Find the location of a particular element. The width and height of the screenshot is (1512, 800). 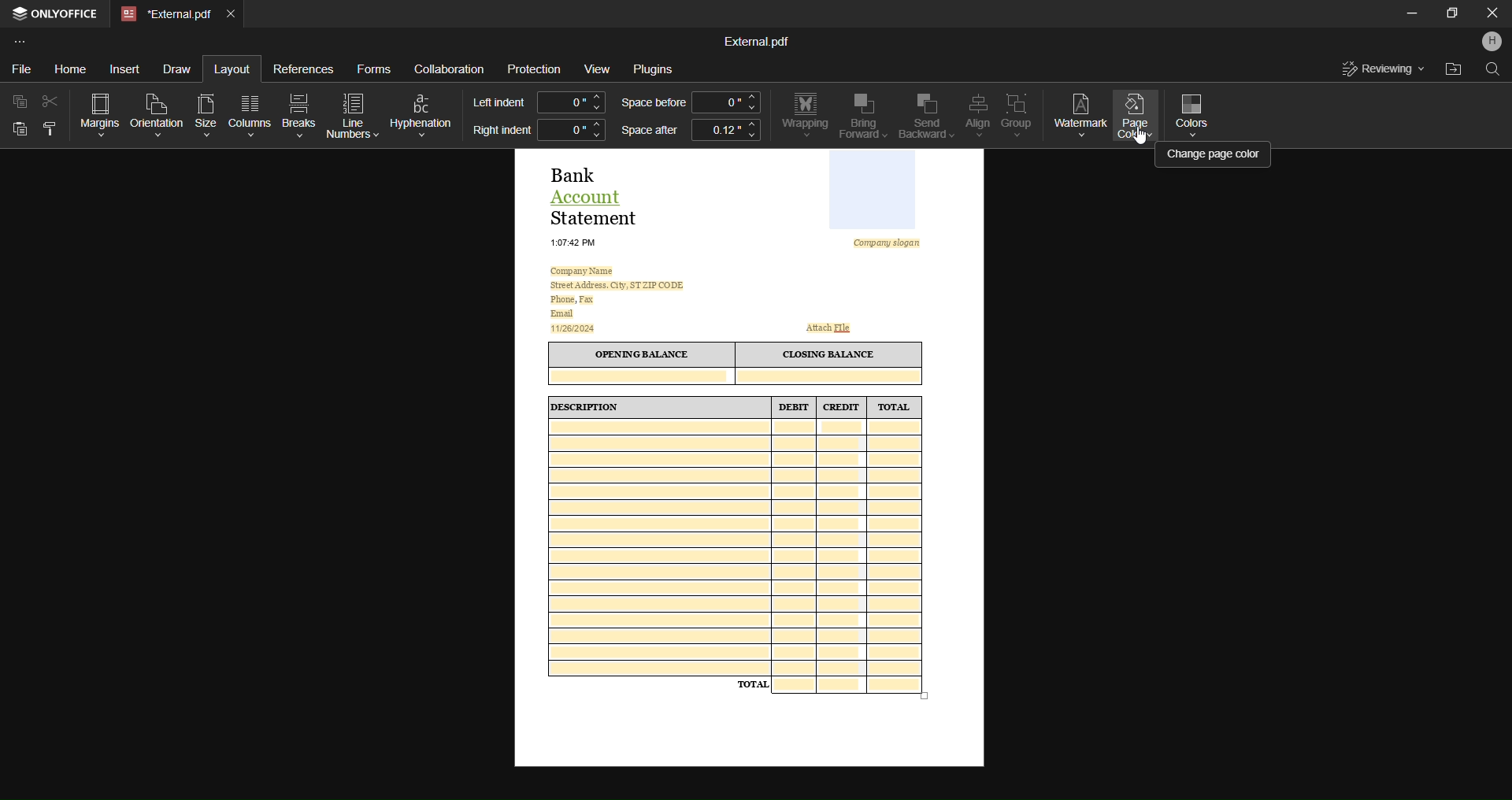

References is located at coordinates (304, 72).